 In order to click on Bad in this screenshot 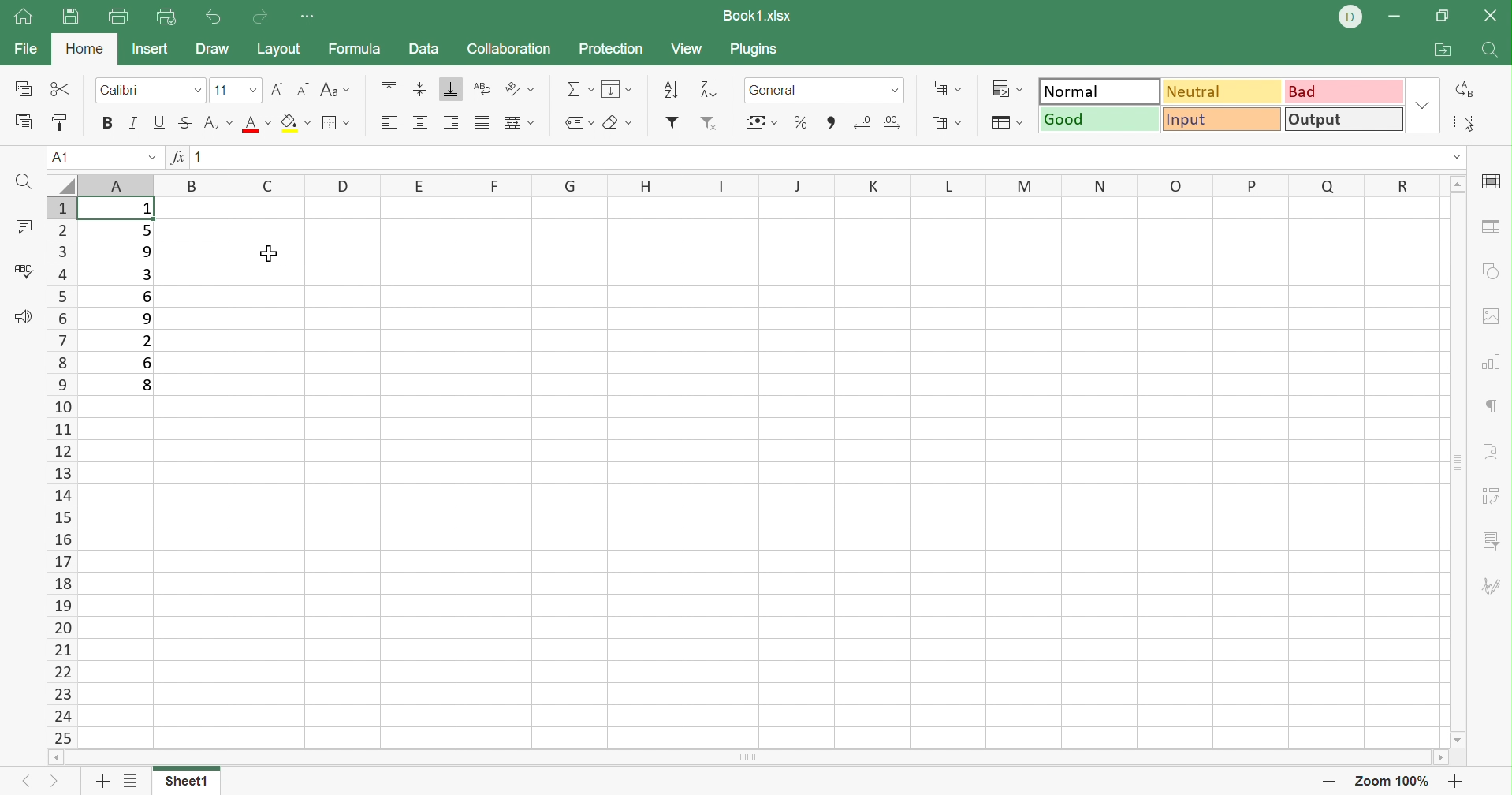, I will do `click(1342, 90)`.